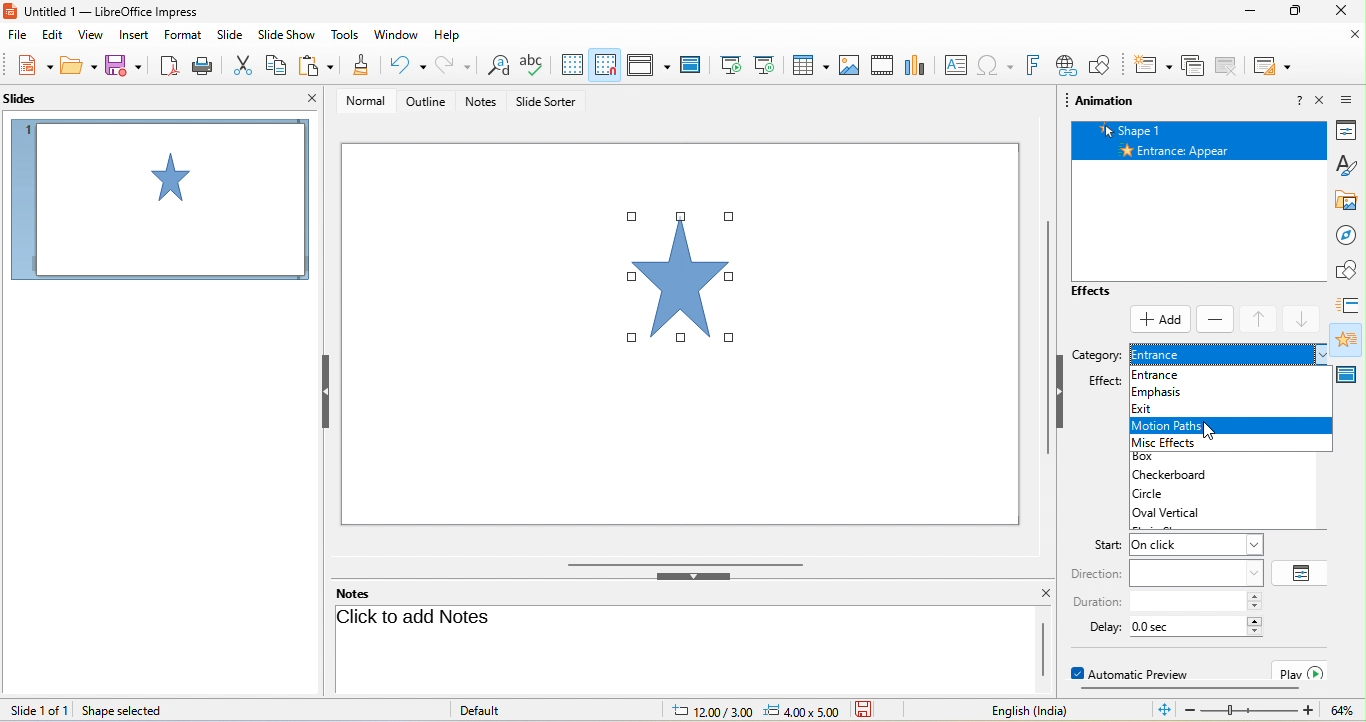 The image size is (1366, 722). What do you see at coordinates (1351, 36) in the screenshot?
I see `close` at bounding box center [1351, 36].